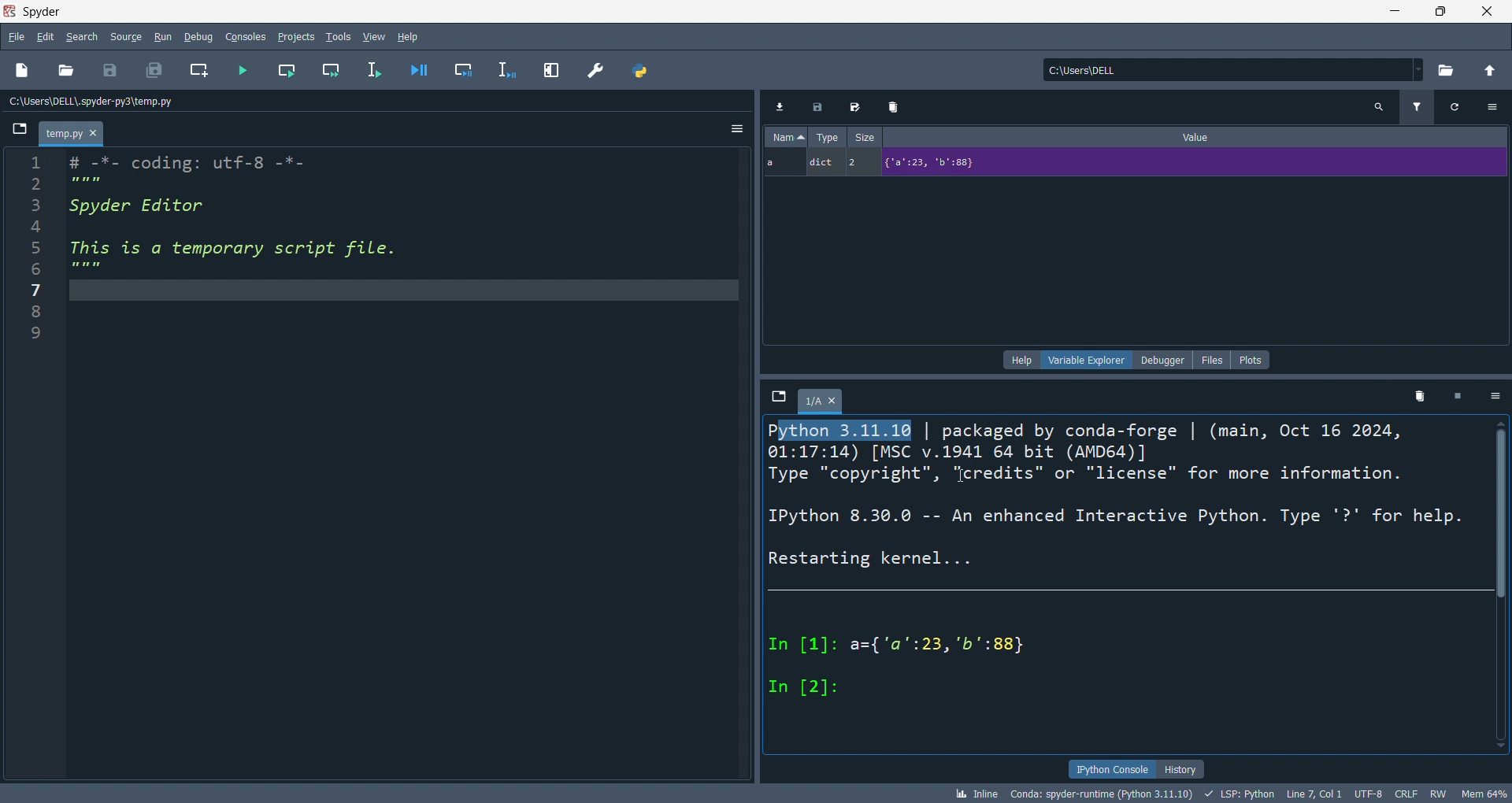 The width and height of the screenshot is (1512, 803). I want to click on temp.py tab, so click(72, 132).